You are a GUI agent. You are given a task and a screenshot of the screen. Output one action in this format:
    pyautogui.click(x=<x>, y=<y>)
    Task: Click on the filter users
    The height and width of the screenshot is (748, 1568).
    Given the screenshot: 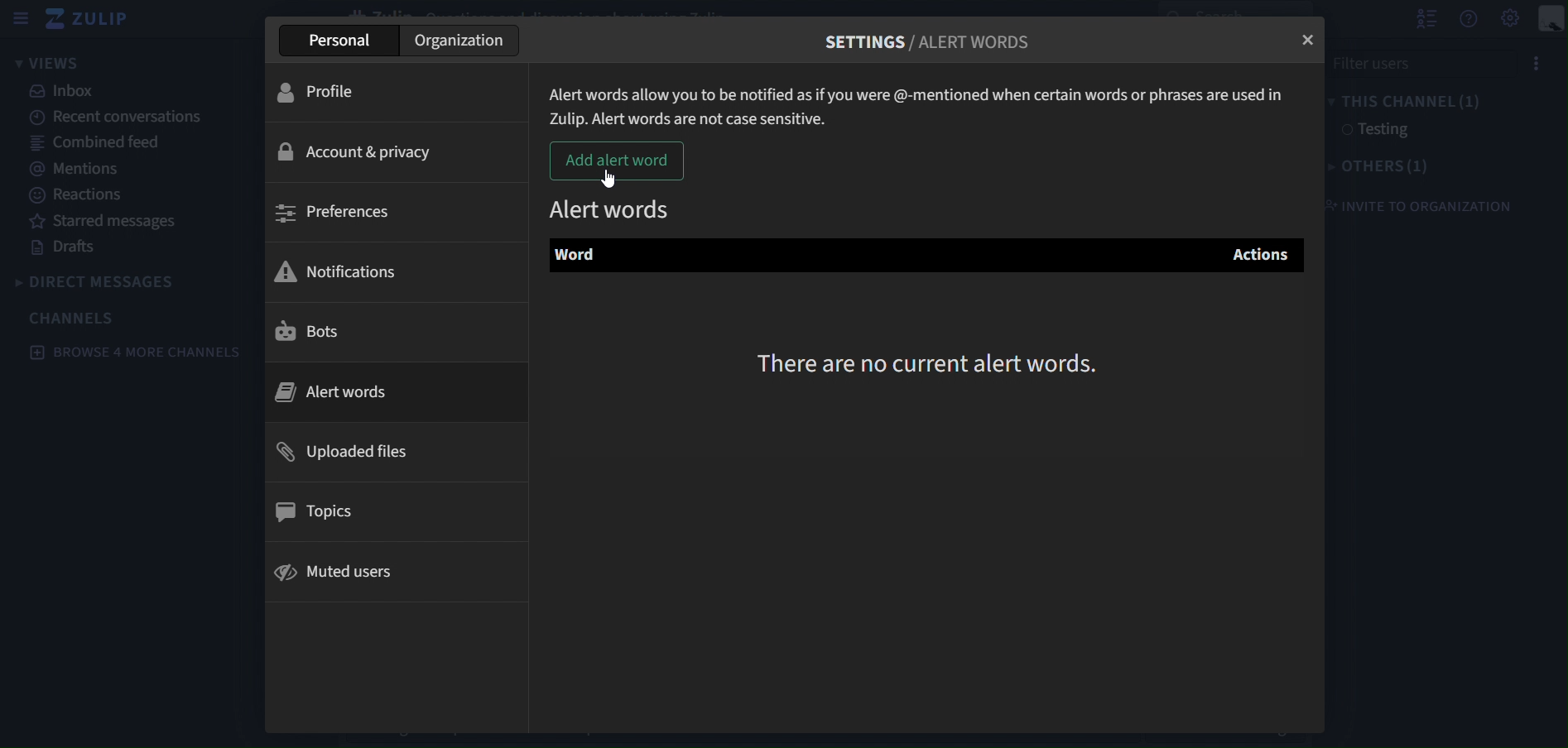 What is the action you would take?
    pyautogui.click(x=1417, y=61)
    